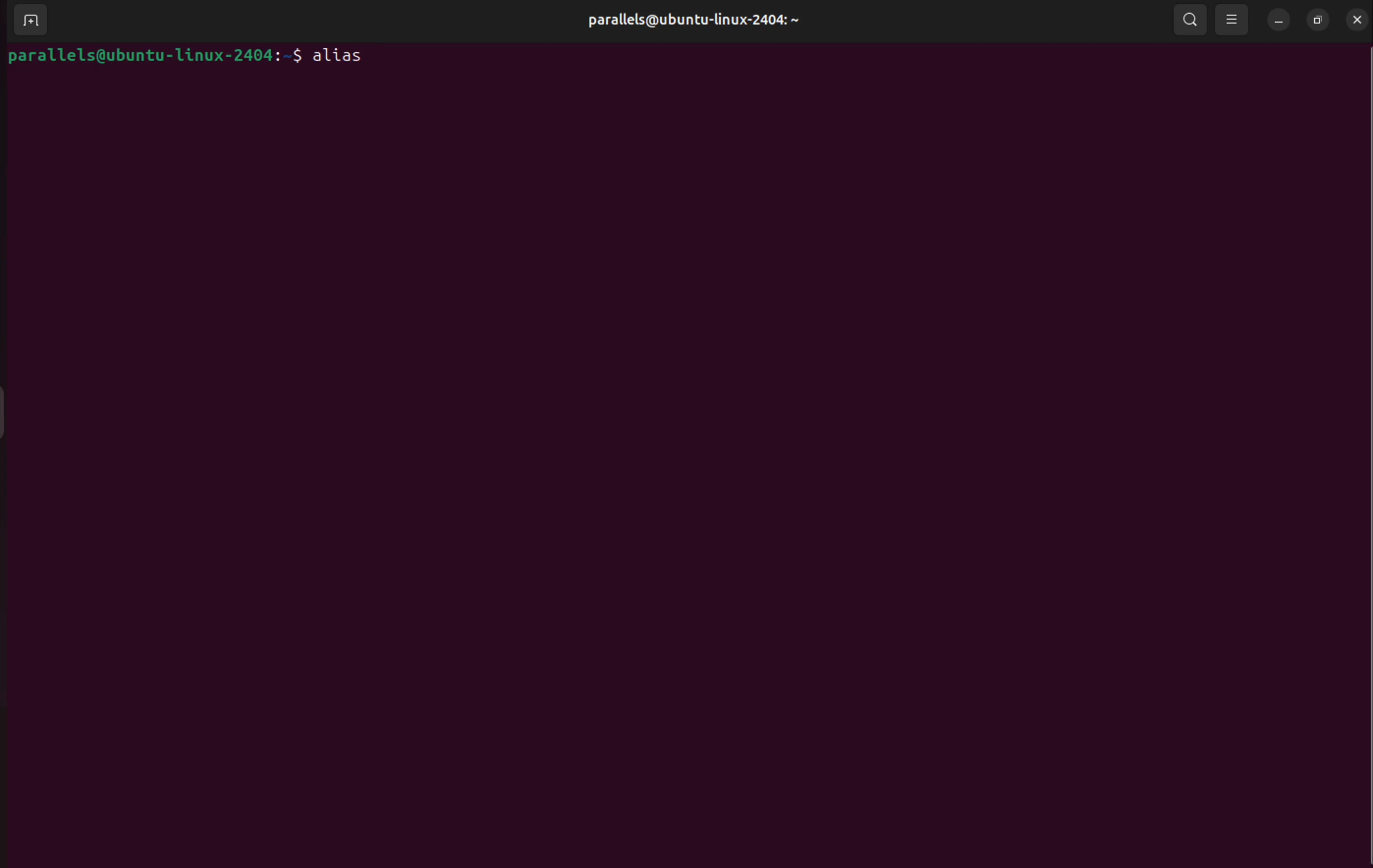 This screenshot has height=868, width=1373. What do you see at coordinates (1232, 20) in the screenshot?
I see `view options` at bounding box center [1232, 20].